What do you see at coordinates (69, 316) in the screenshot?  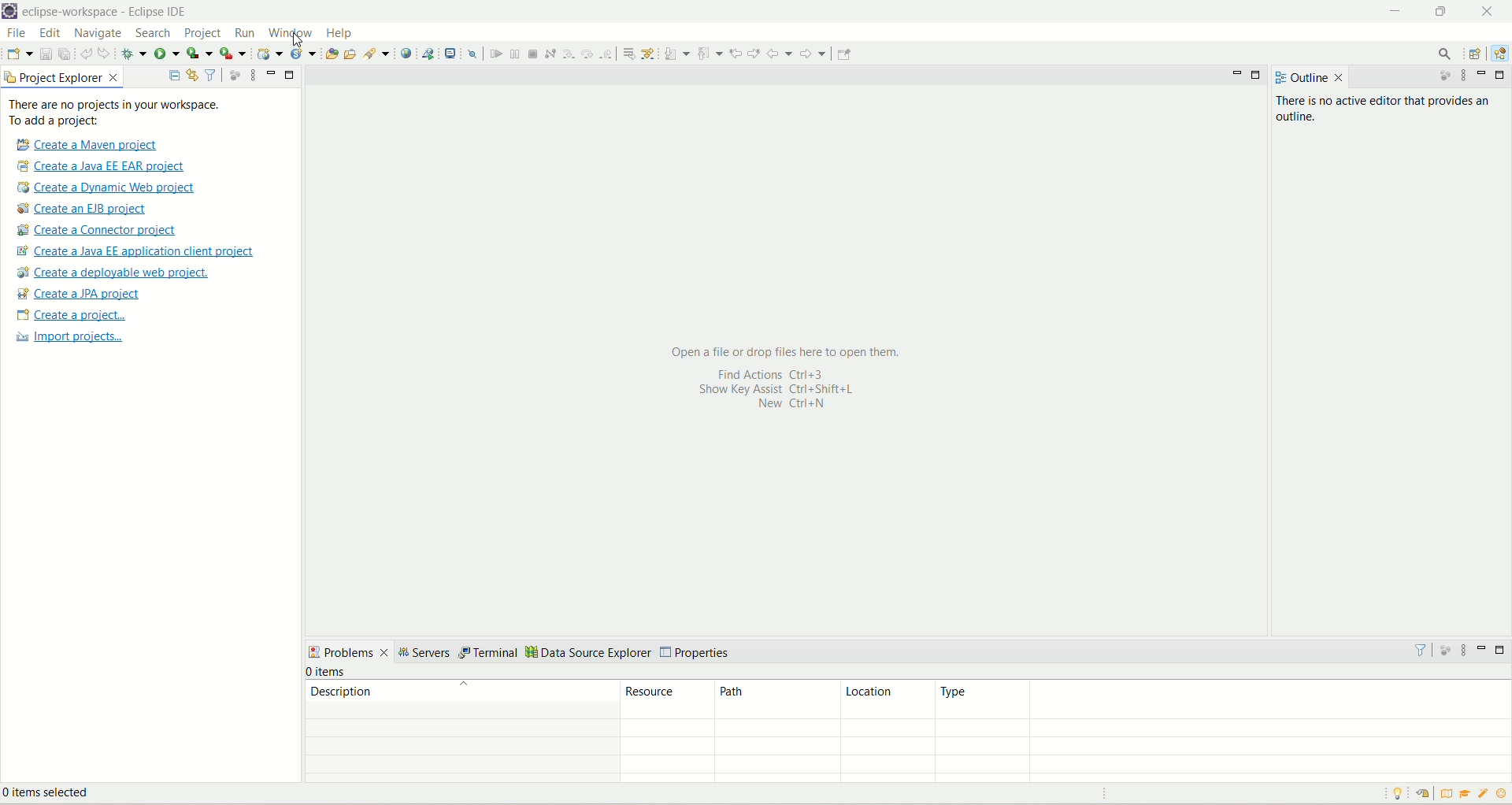 I see `create a project` at bounding box center [69, 316].